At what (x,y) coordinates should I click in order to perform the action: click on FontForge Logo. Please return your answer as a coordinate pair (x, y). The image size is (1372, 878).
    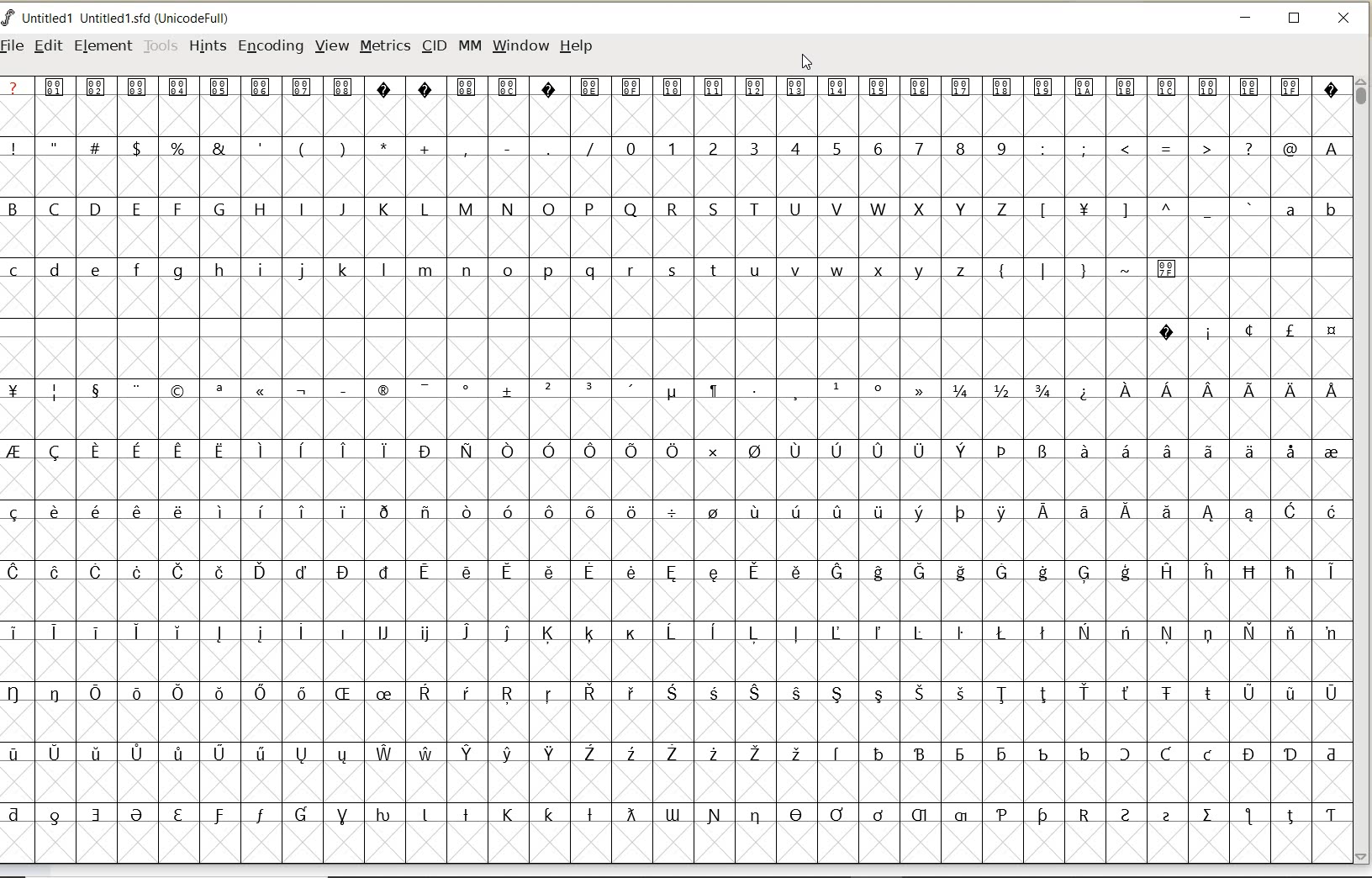
    Looking at the image, I should click on (9, 16).